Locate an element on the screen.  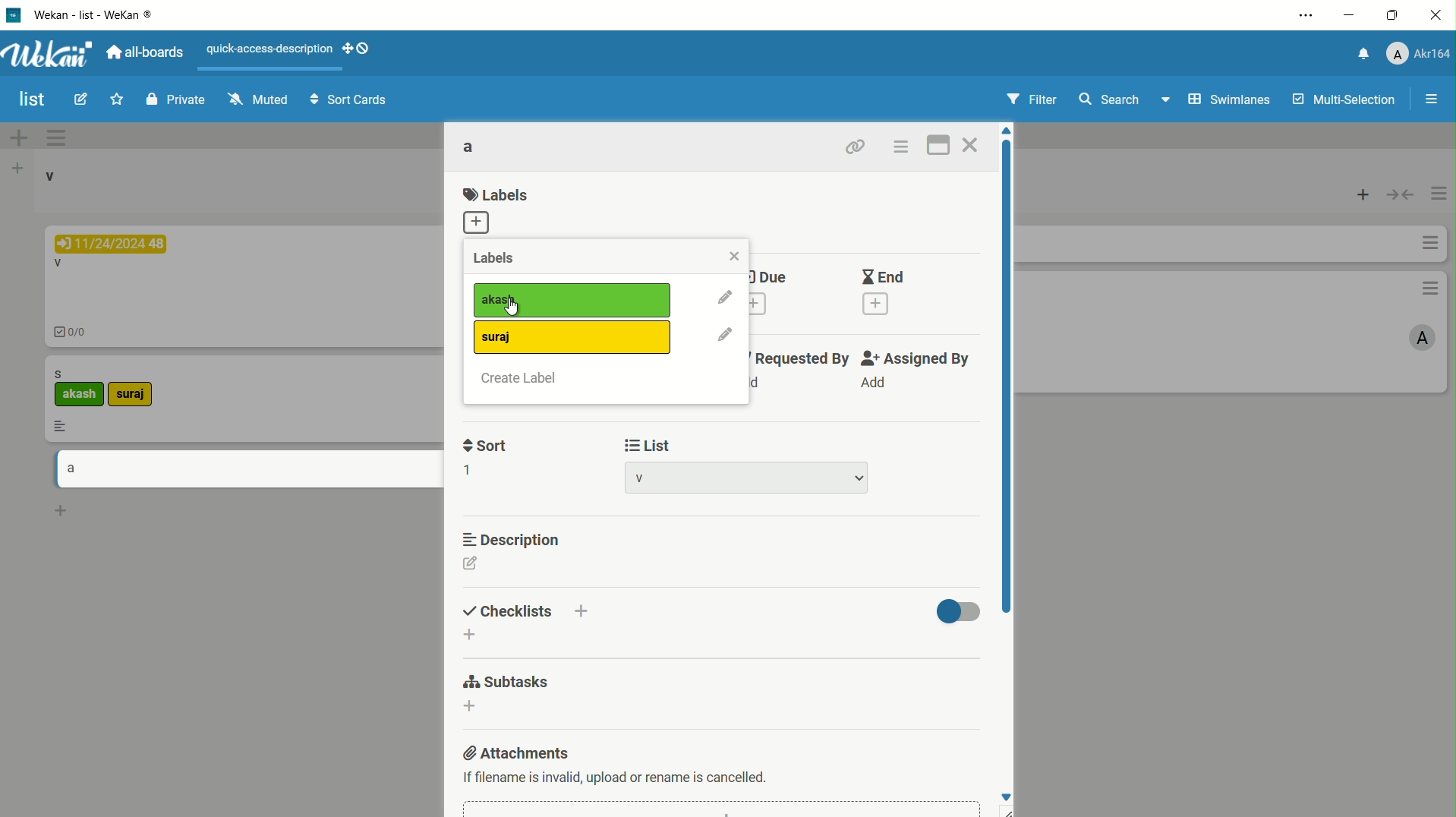
app name is located at coordinates (101, 16).